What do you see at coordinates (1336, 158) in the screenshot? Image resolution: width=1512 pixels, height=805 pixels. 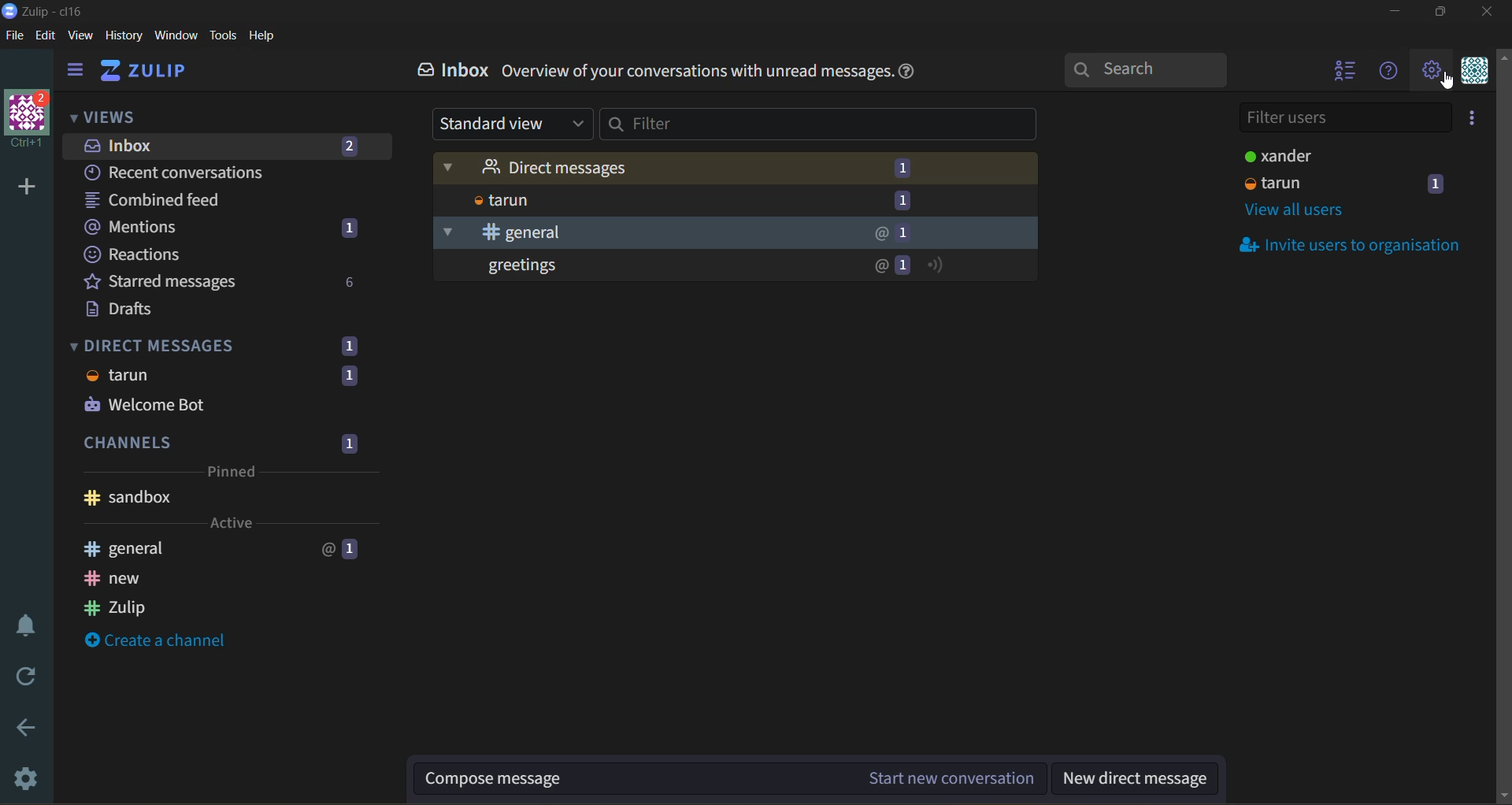 I see `users and status` at bounding box center [1336, 158].